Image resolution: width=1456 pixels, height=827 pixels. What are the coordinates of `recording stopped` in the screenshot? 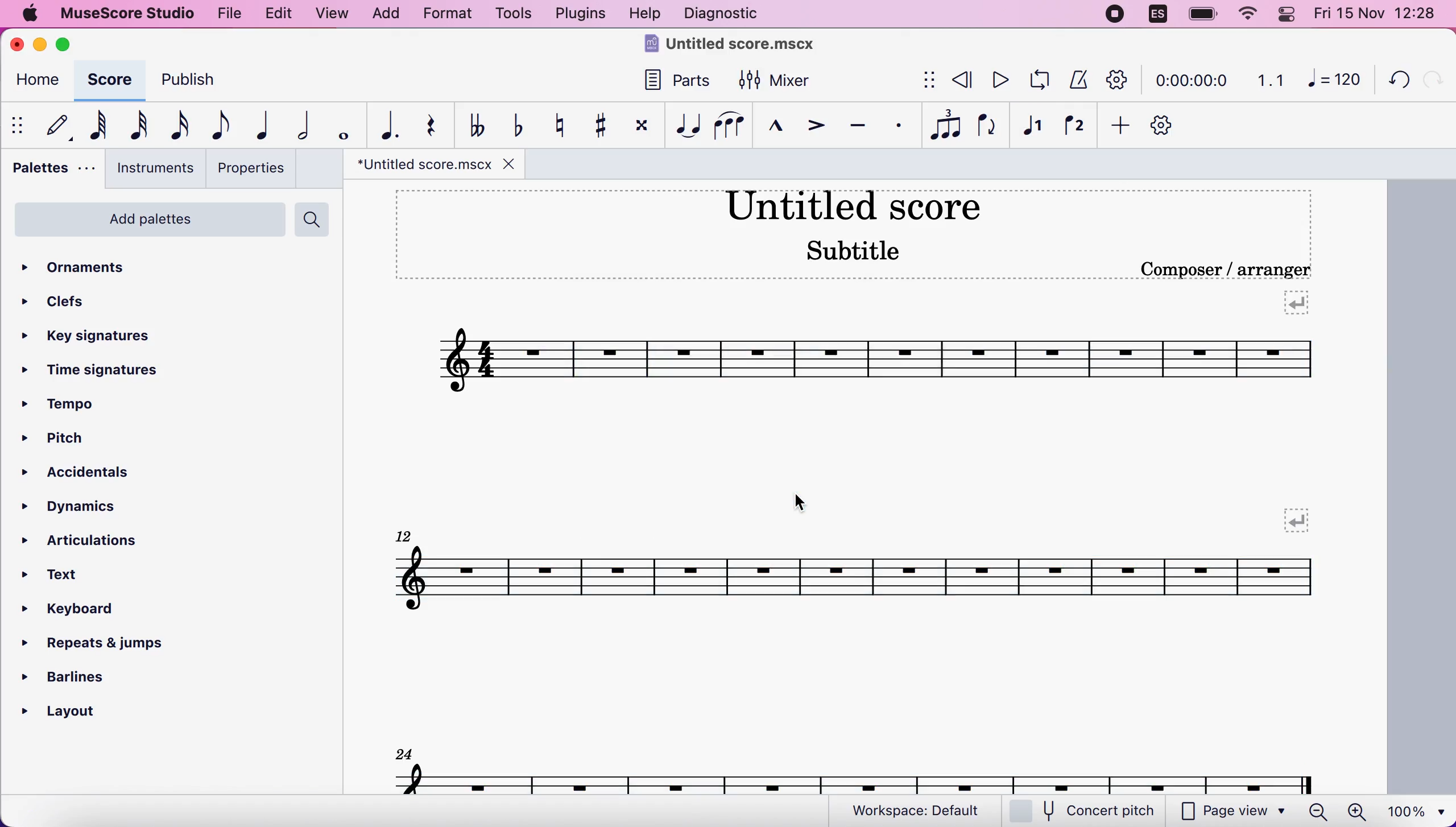 It's located at (1116, 15).